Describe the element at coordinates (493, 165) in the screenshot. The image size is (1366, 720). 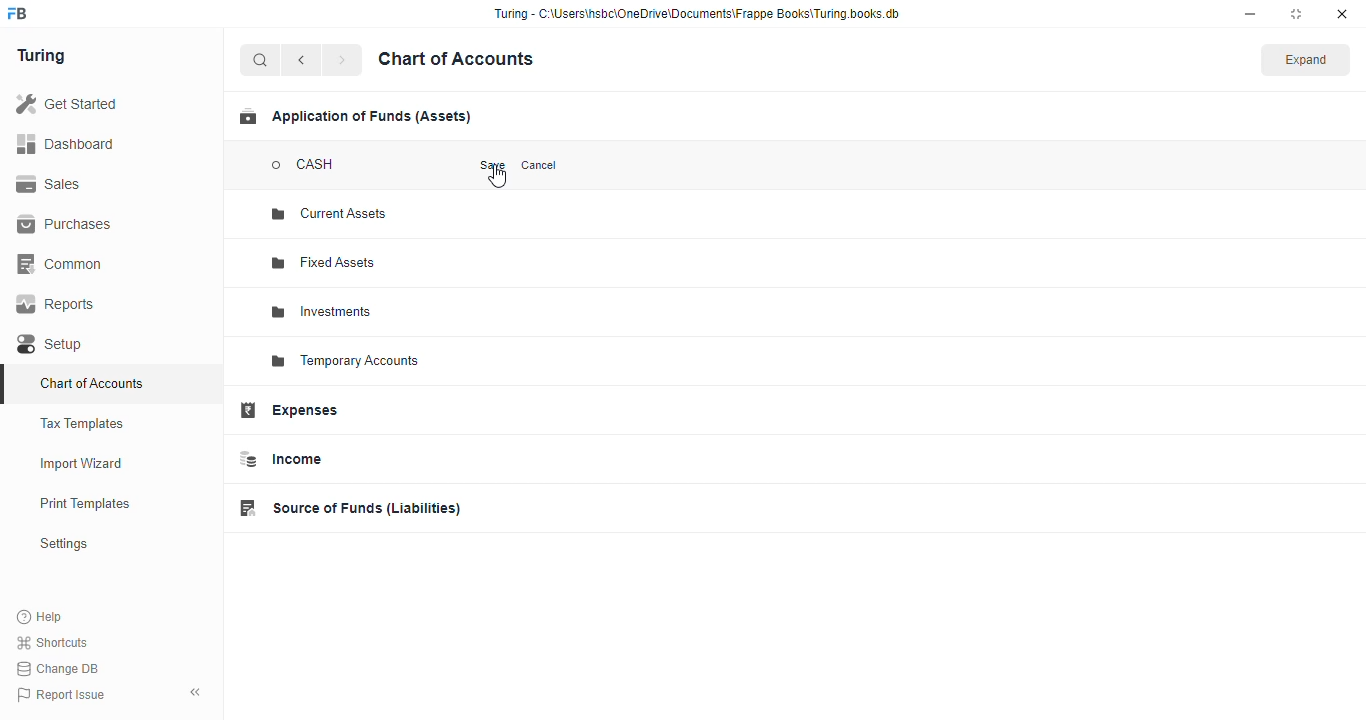
I see `save` at that location.